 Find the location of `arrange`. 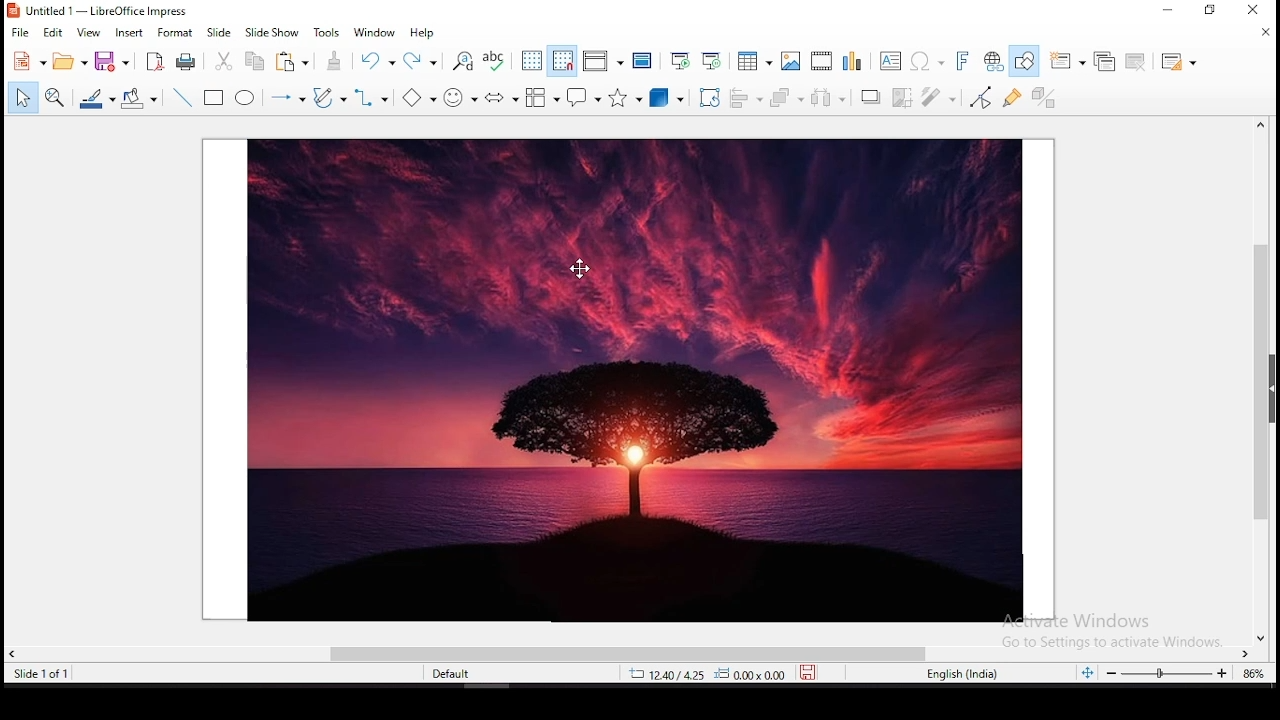

arrange is located at coordinates (785, 98).